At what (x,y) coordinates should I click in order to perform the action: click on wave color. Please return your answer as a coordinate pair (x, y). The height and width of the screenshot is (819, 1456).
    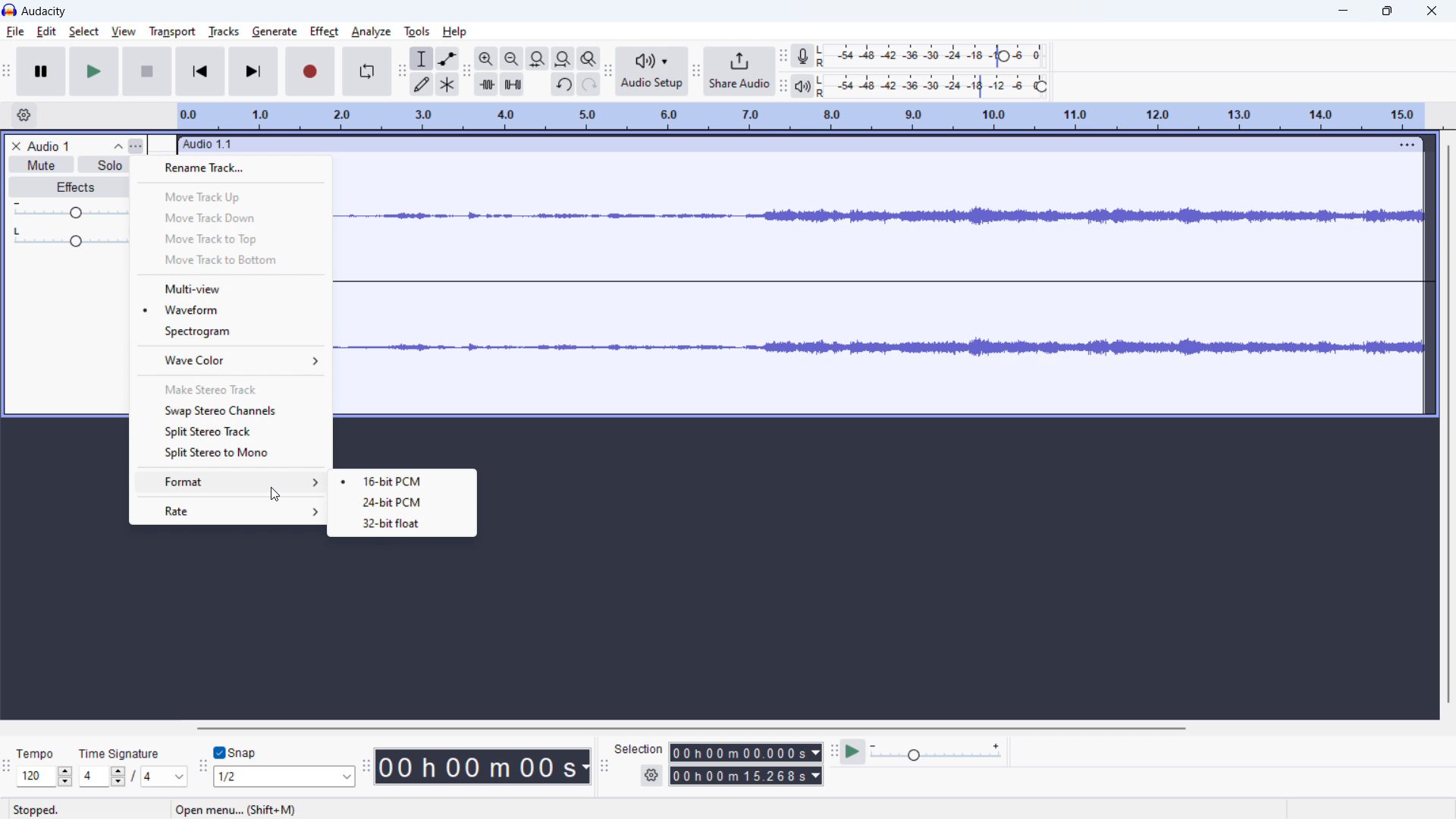
    Looking at the image, I should click on (231, 360).